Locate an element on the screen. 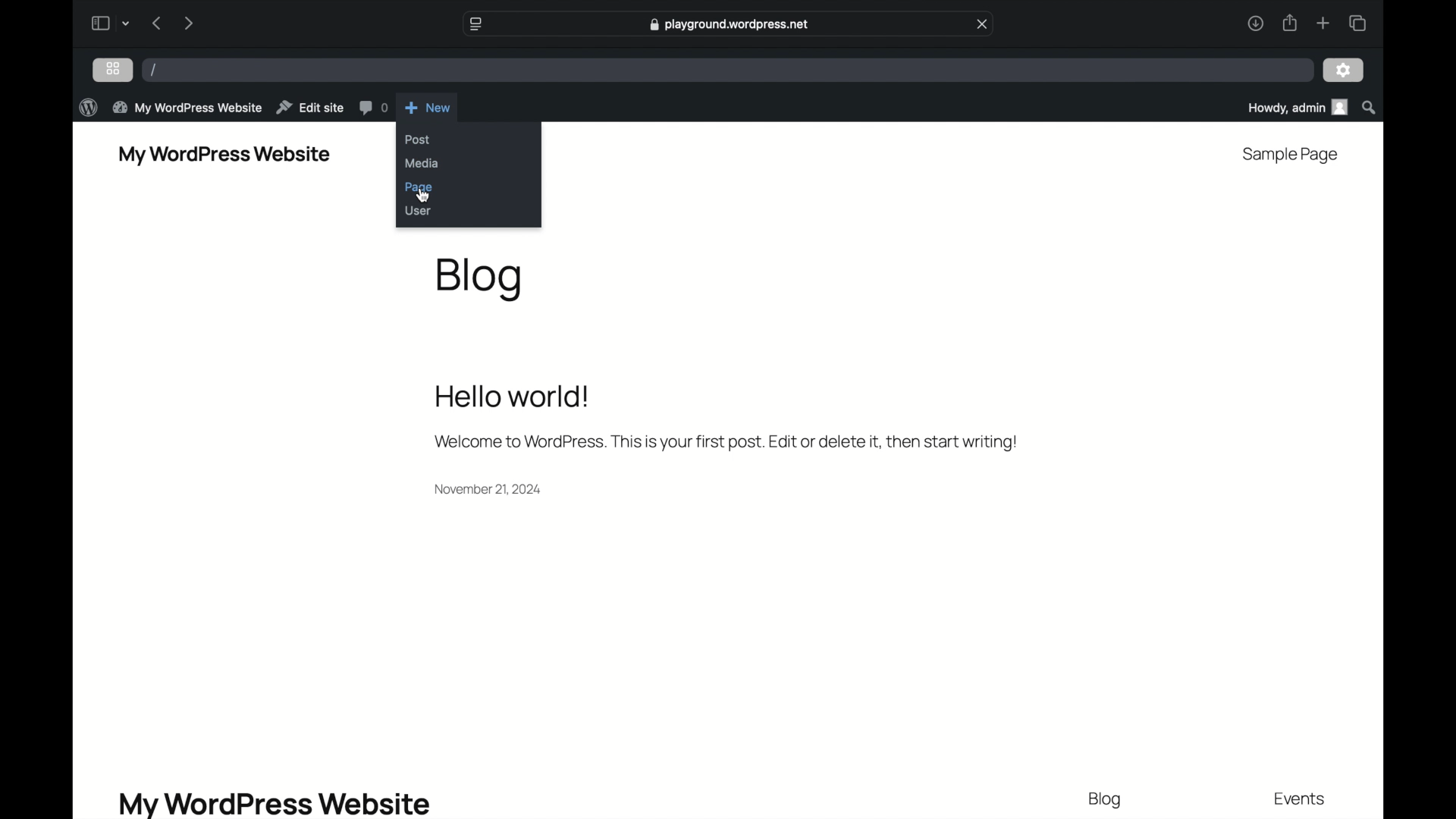  sample page is located at coordinates (1291, 155).